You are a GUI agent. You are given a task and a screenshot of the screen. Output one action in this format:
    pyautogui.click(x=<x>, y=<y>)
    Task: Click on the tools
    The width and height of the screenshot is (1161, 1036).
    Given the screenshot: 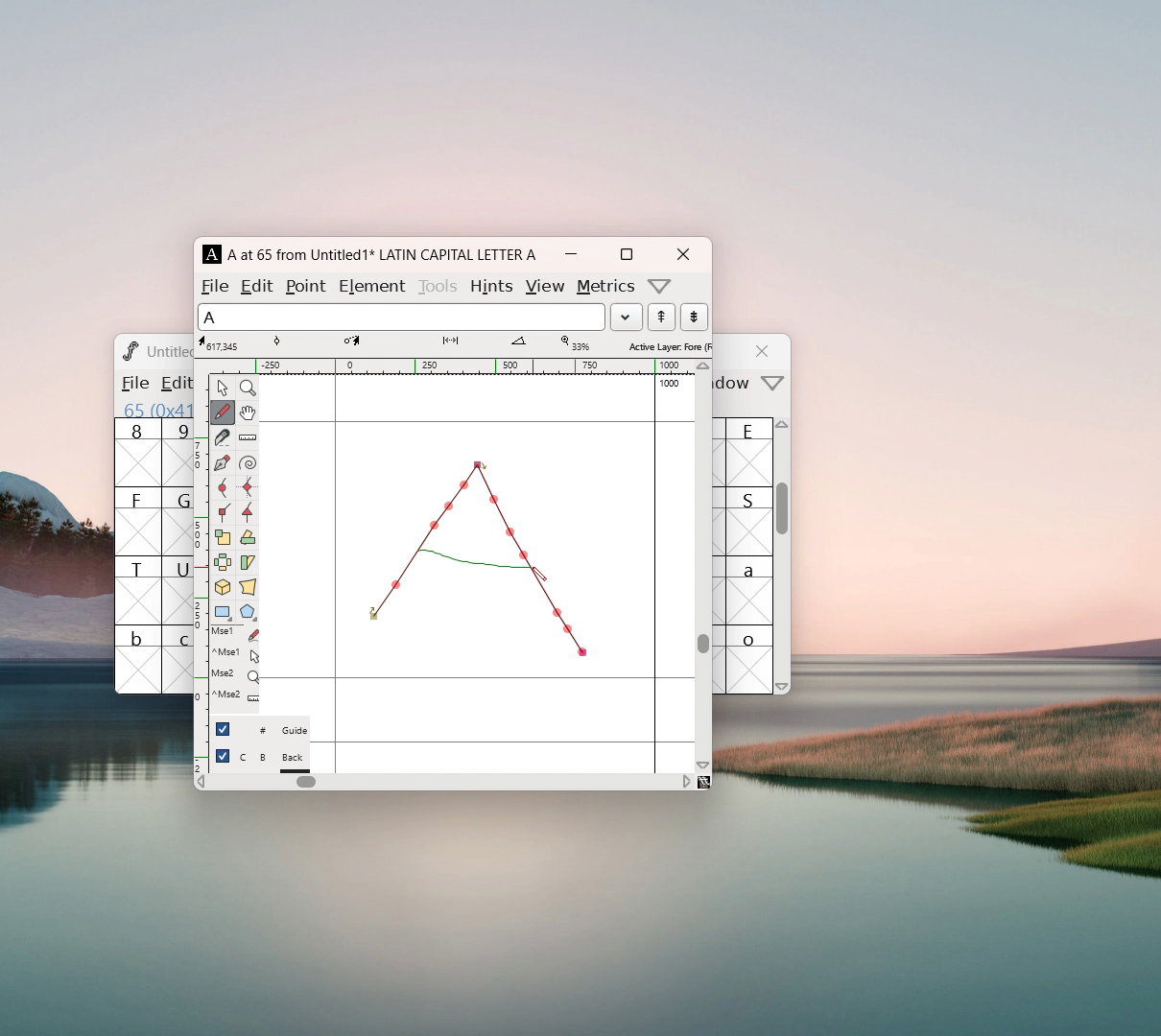 What is the action you would take?
    pyautogui.click(x=439, y=284)
    